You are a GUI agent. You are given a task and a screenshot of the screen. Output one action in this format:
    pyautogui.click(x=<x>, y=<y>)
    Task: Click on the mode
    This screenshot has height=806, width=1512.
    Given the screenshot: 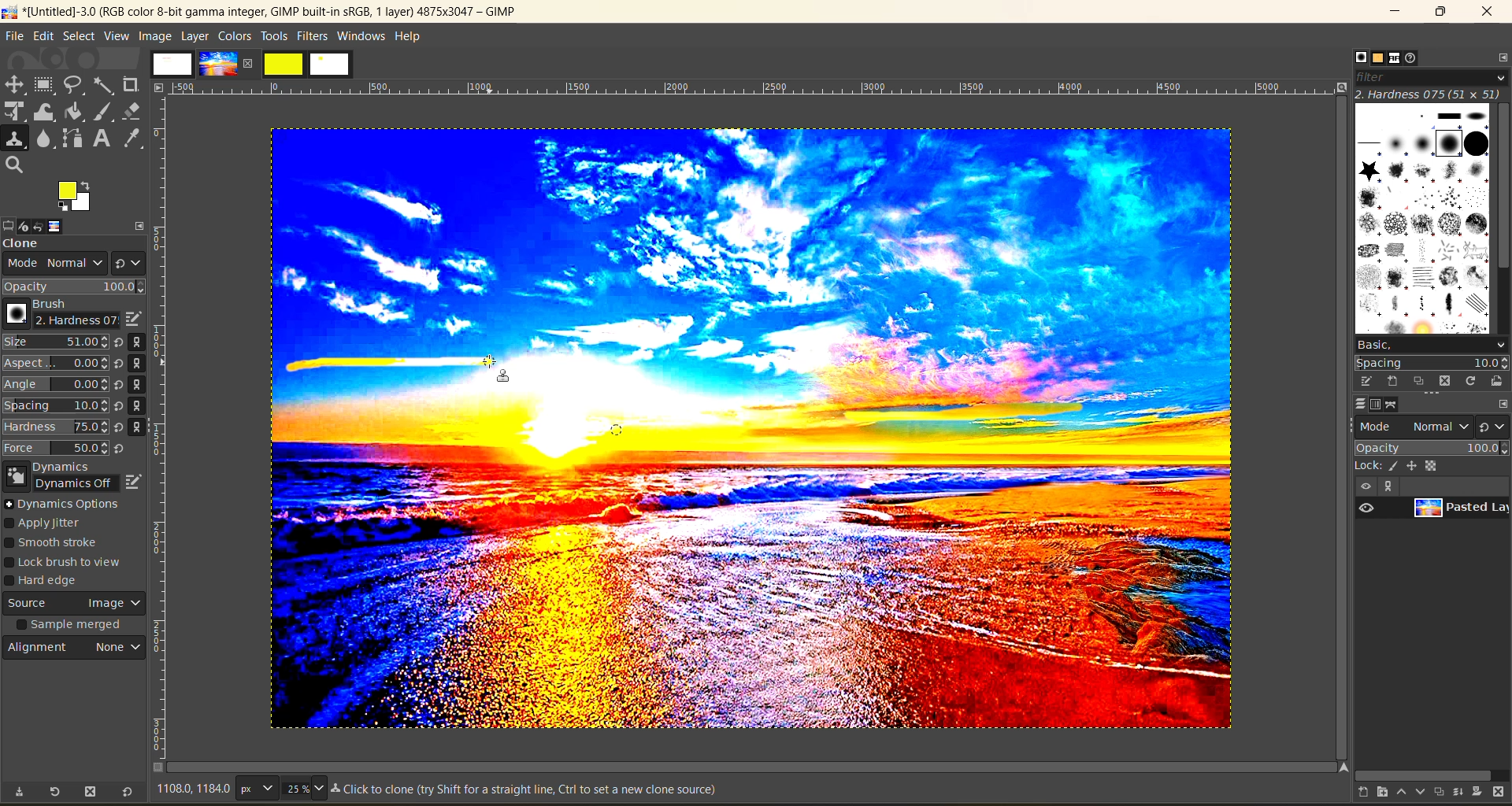 What is the action you would take?
    pyautogui.click(x=50, y=265)
    